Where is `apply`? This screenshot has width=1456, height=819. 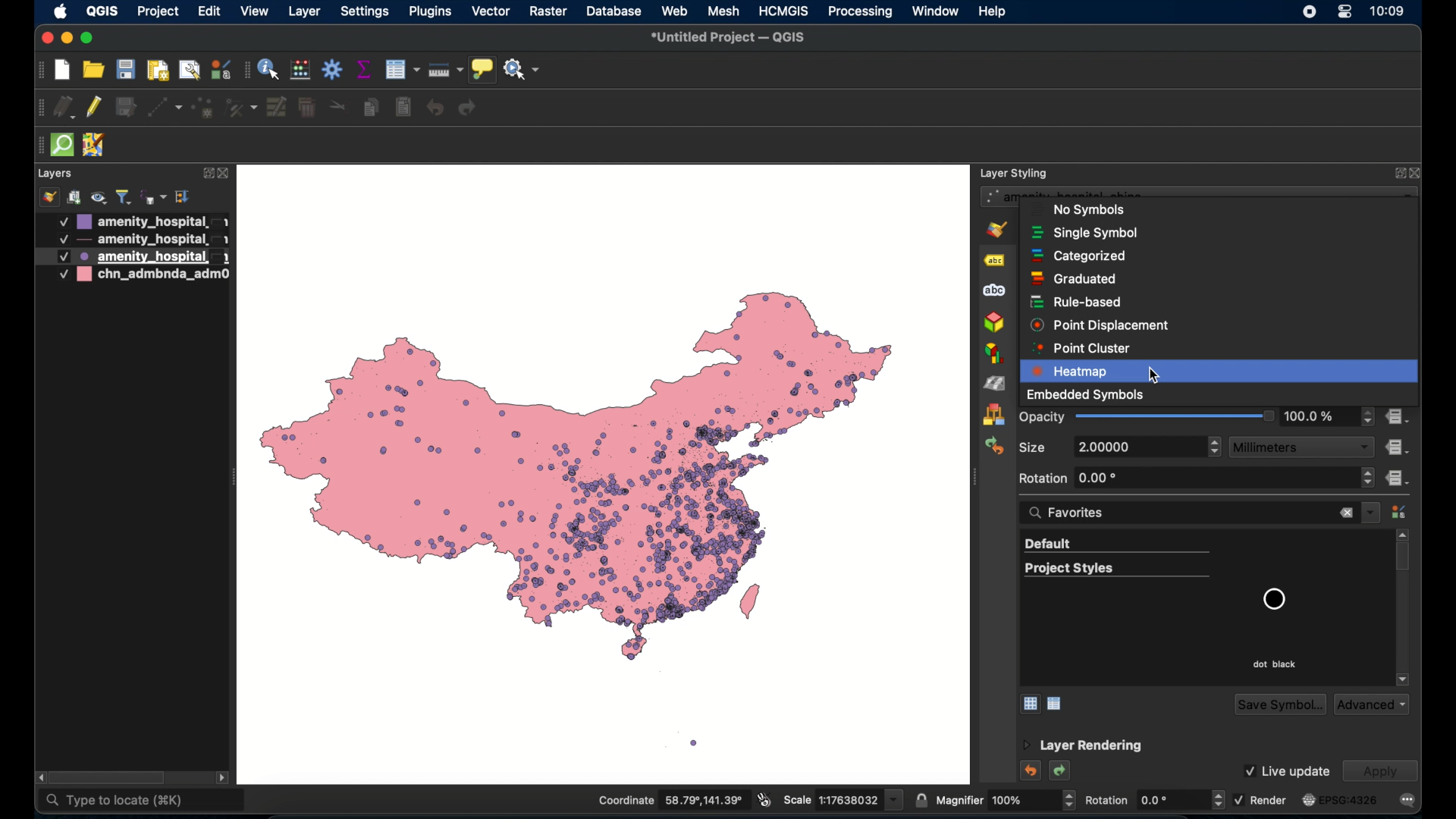
apply is located at coordinates (1379, 770).